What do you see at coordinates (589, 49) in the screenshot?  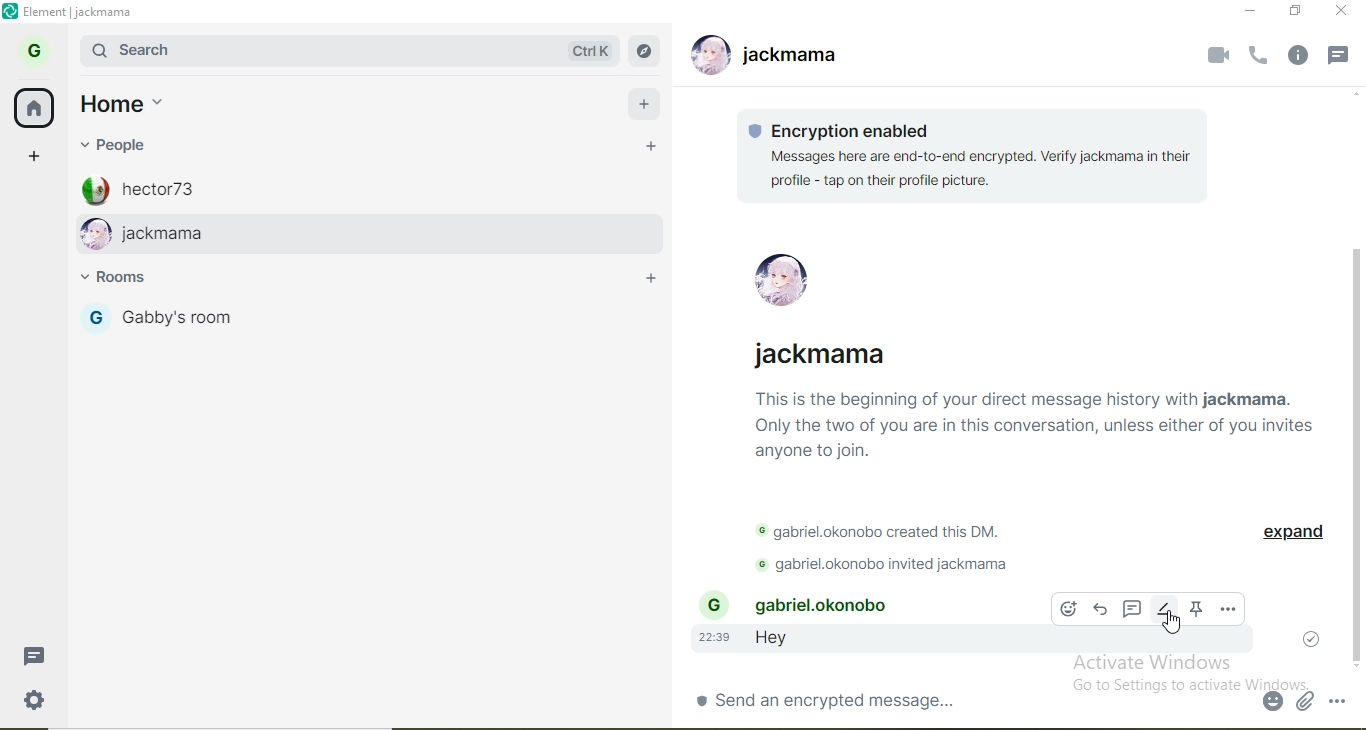 I see `ctrl k` at bounding box center [589, 49].